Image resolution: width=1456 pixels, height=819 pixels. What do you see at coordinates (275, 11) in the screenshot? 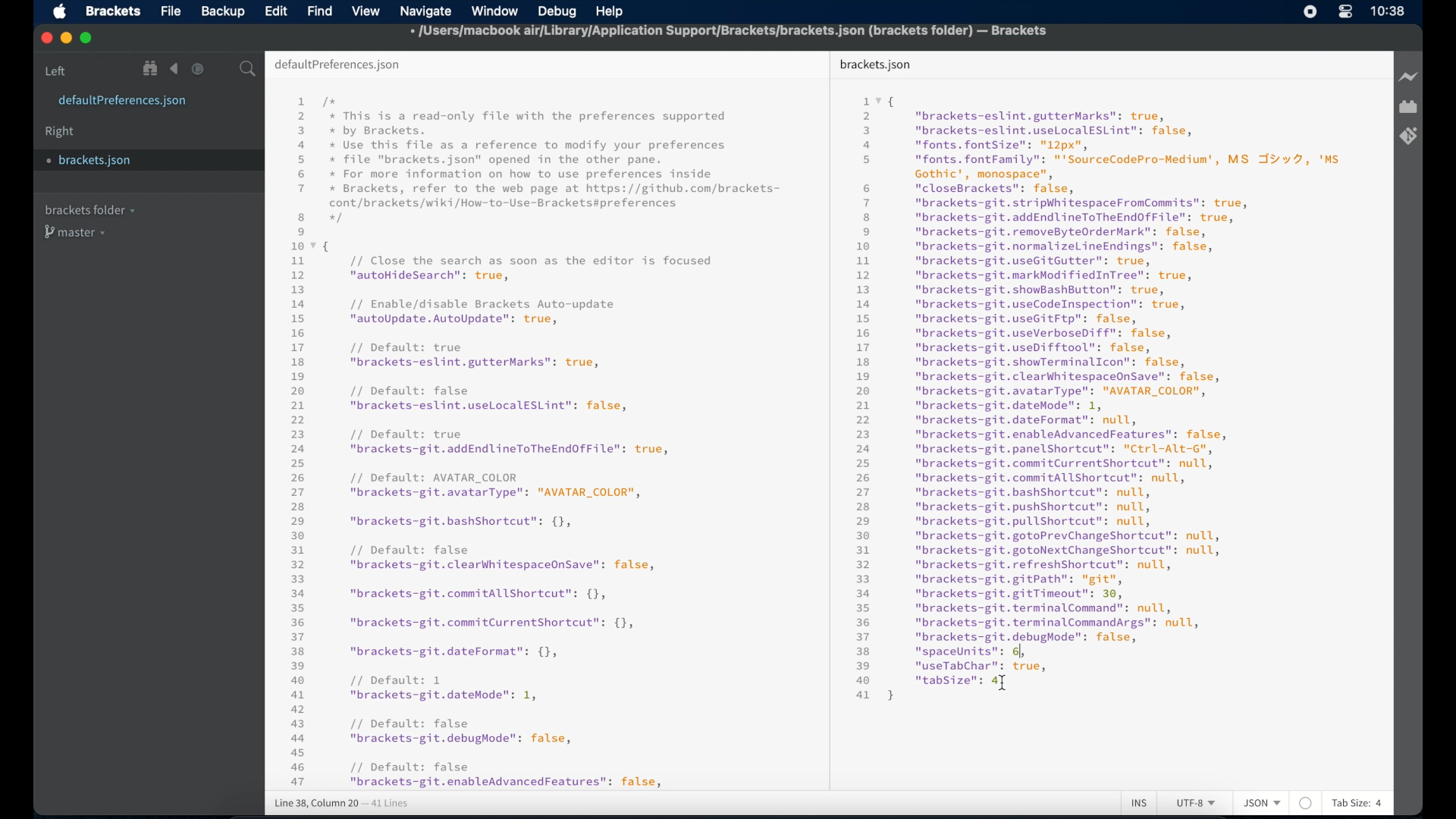
I see `edit` at bounding box center [275, 11].